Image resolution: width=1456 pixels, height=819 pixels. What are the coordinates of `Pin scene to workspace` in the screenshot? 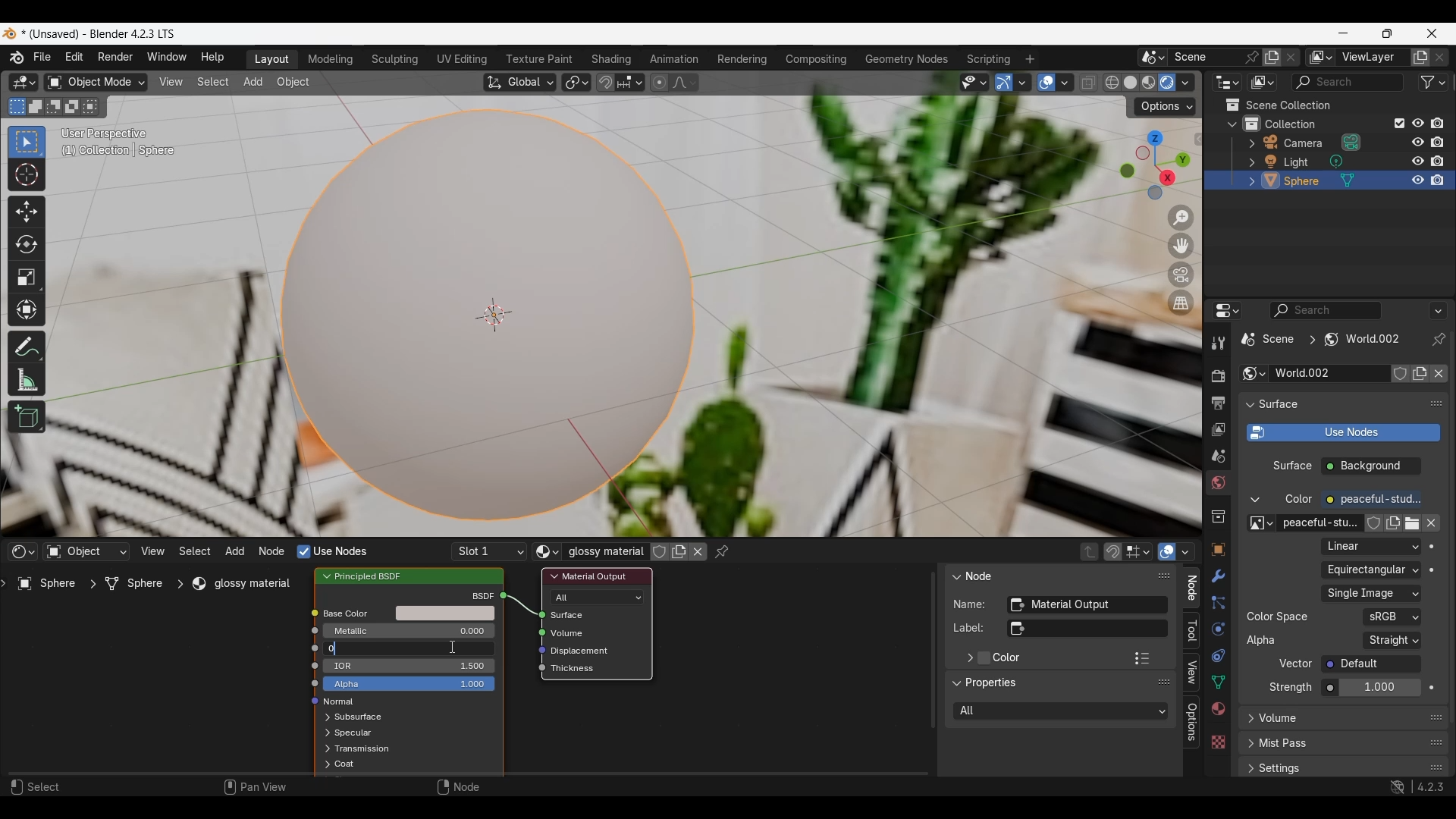 It's located at (1251, 58).